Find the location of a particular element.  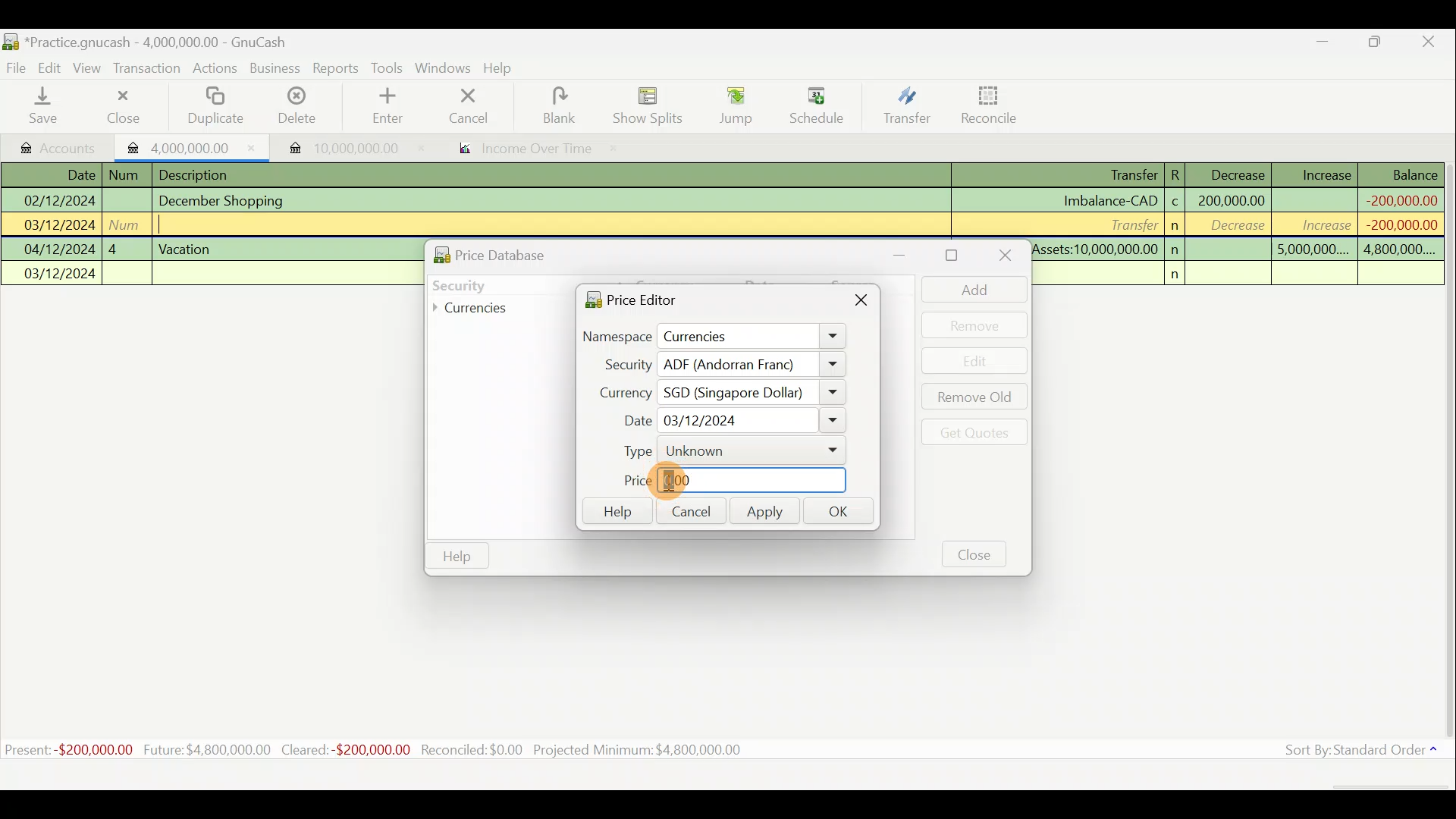

View is located at coordinates (92, 67).